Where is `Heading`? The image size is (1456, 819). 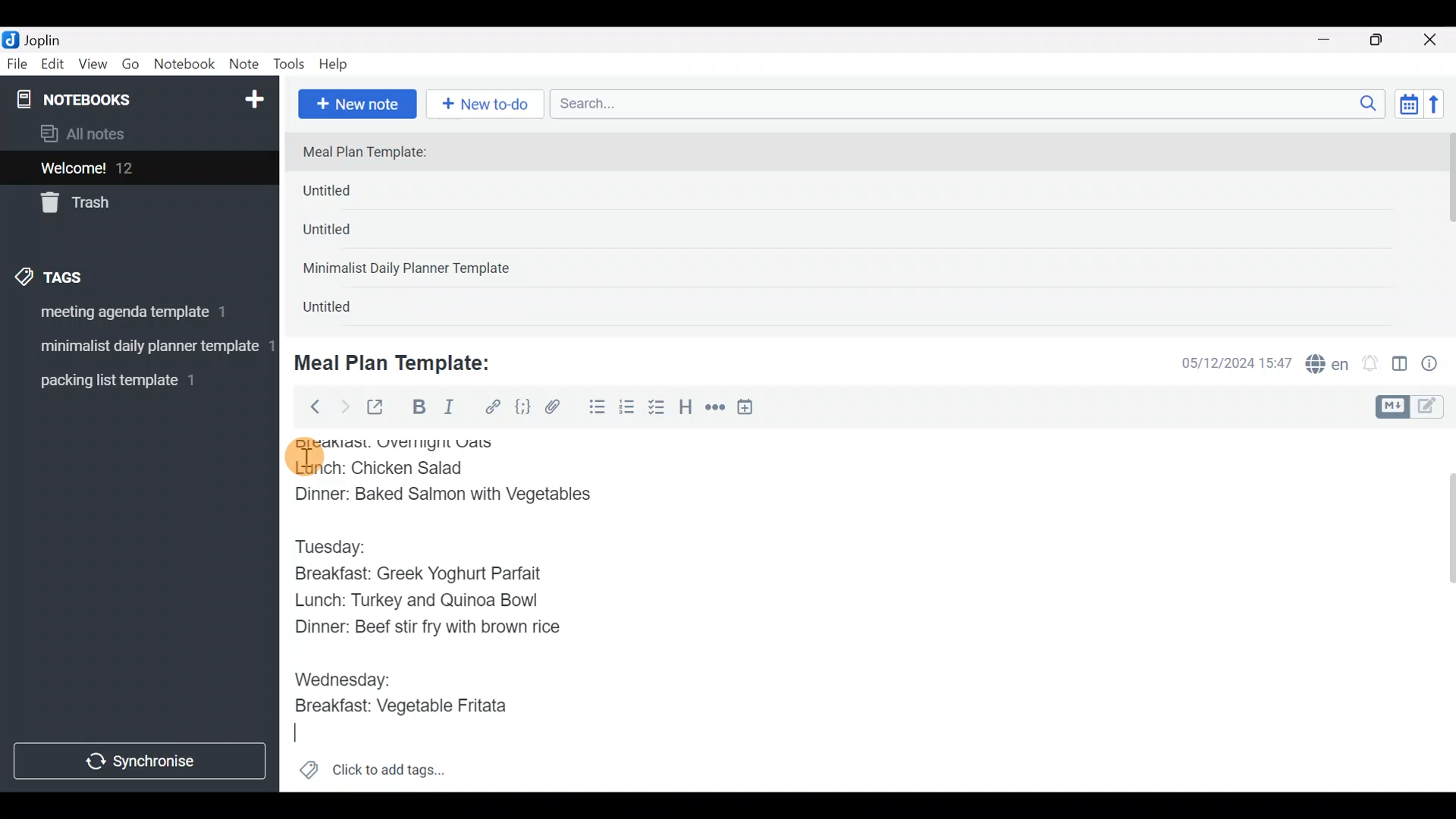
Heading is located at coordinates (686, 409).